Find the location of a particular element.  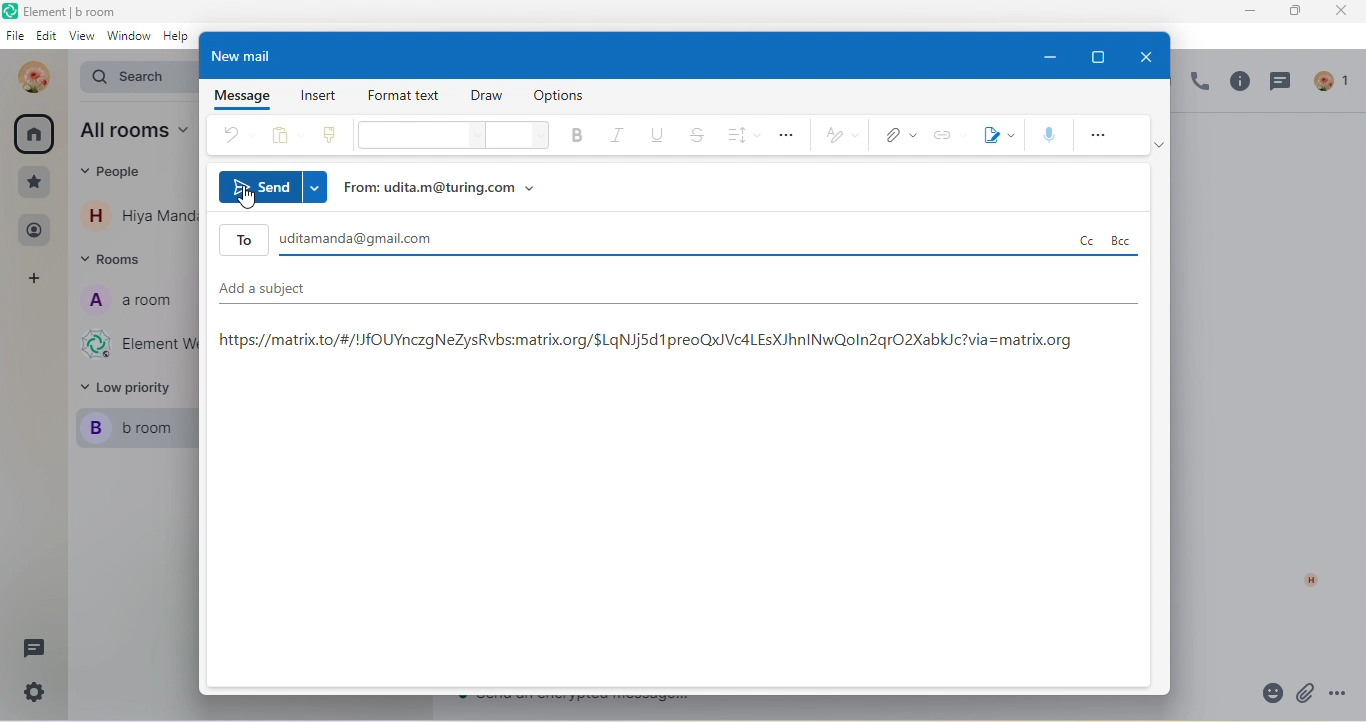

option is located at coordinates (789, 135).